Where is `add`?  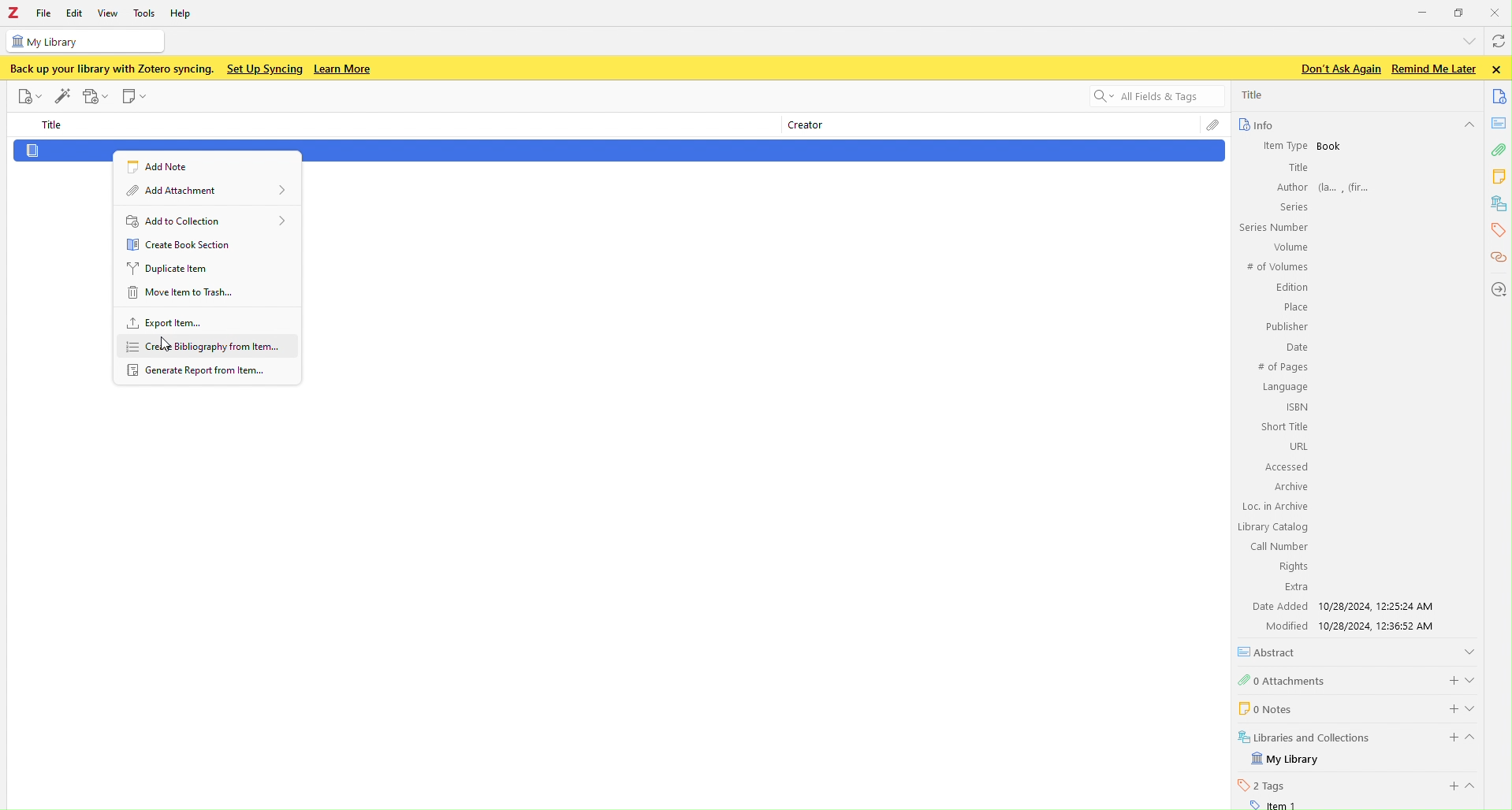 add is located at coordinates (1449, 678).